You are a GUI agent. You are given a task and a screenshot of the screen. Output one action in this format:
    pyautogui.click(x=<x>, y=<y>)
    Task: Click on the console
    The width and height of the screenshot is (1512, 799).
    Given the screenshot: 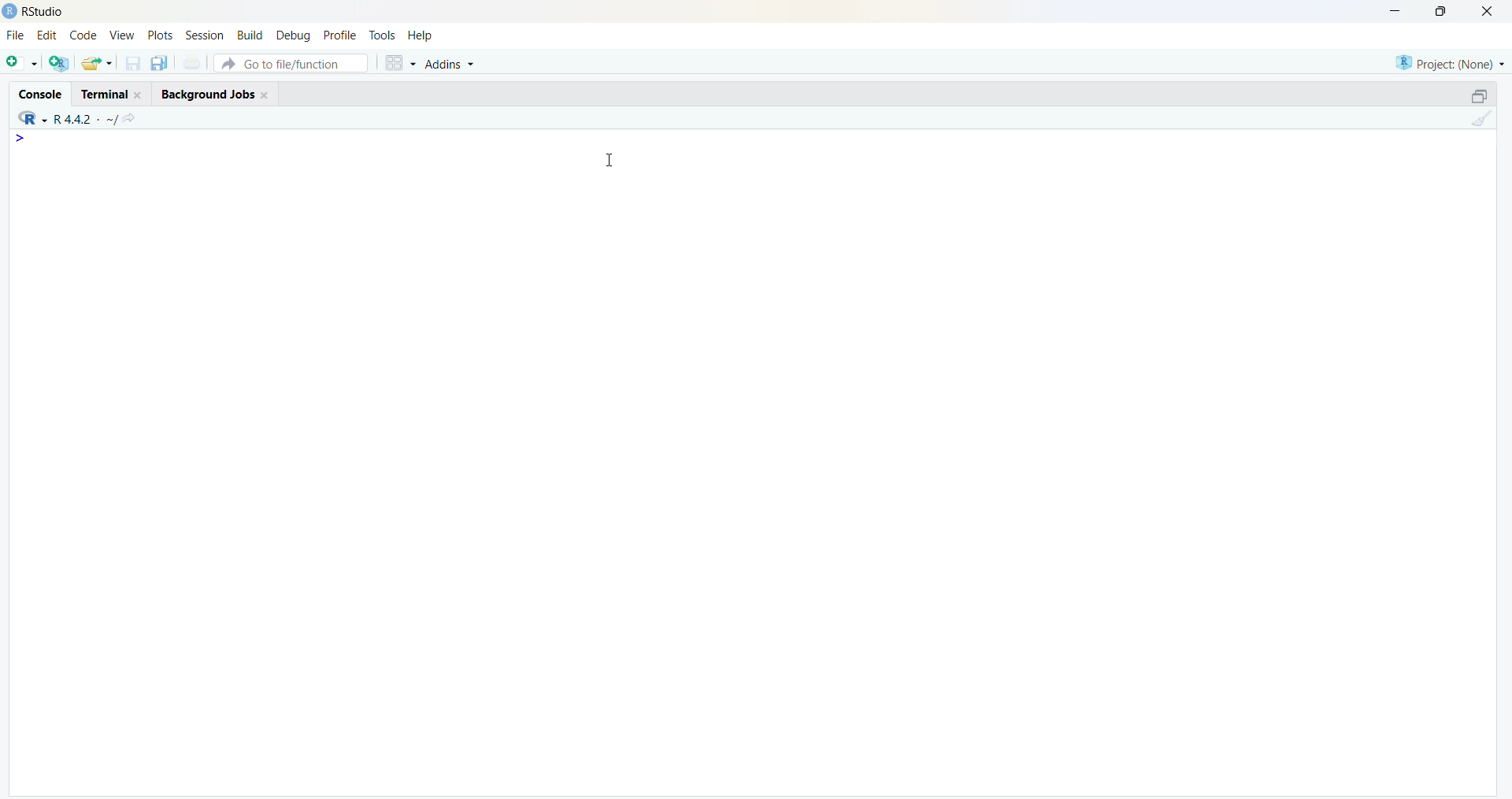 What is the action you would take?
    pyautogui.click(x=42, y=95)
    